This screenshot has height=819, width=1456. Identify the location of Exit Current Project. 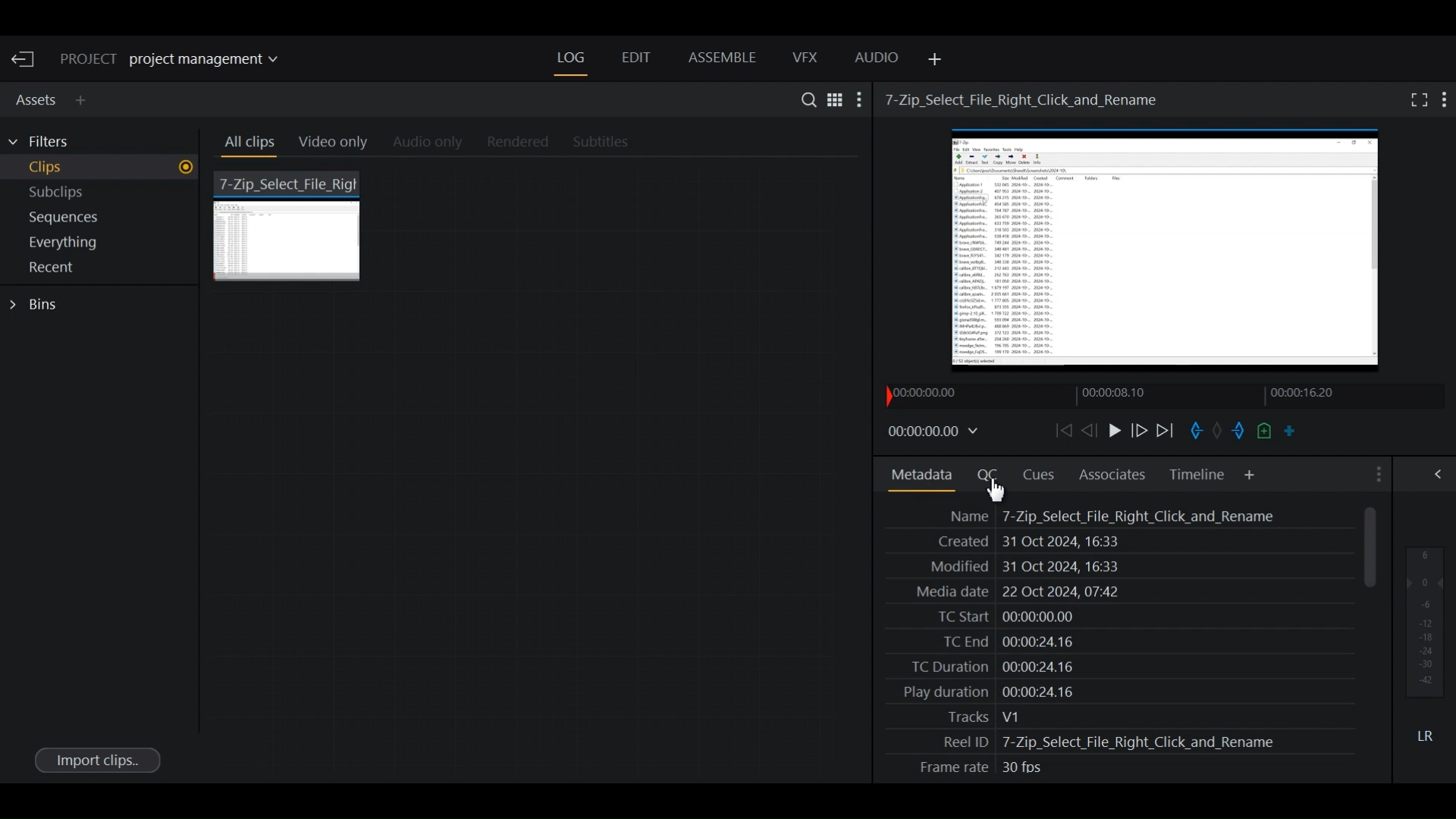
(26, 60).